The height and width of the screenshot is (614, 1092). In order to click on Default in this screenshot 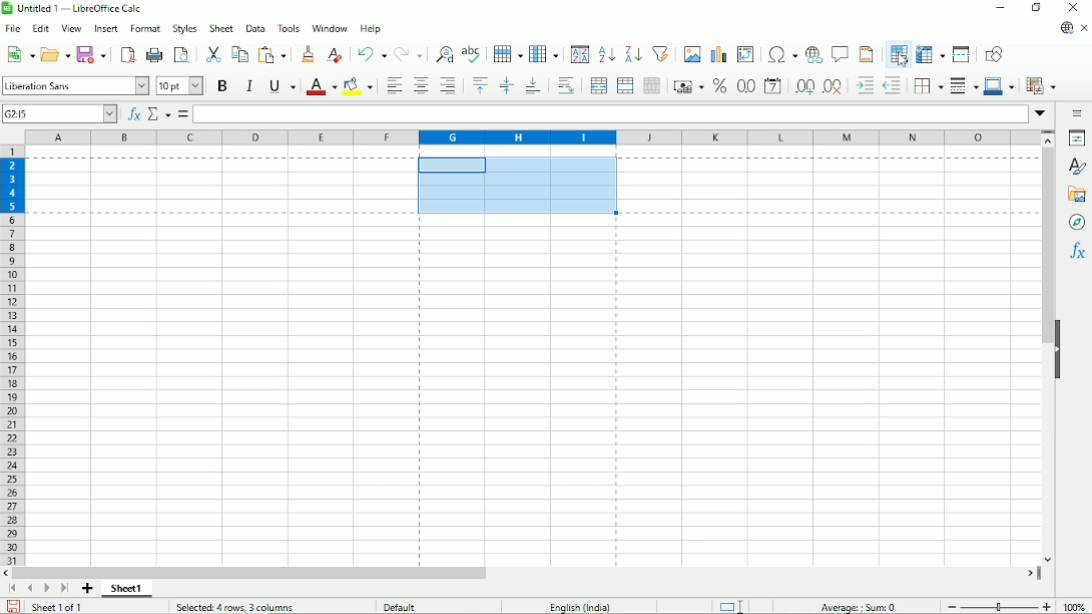, I will do `click(406, 605)`.